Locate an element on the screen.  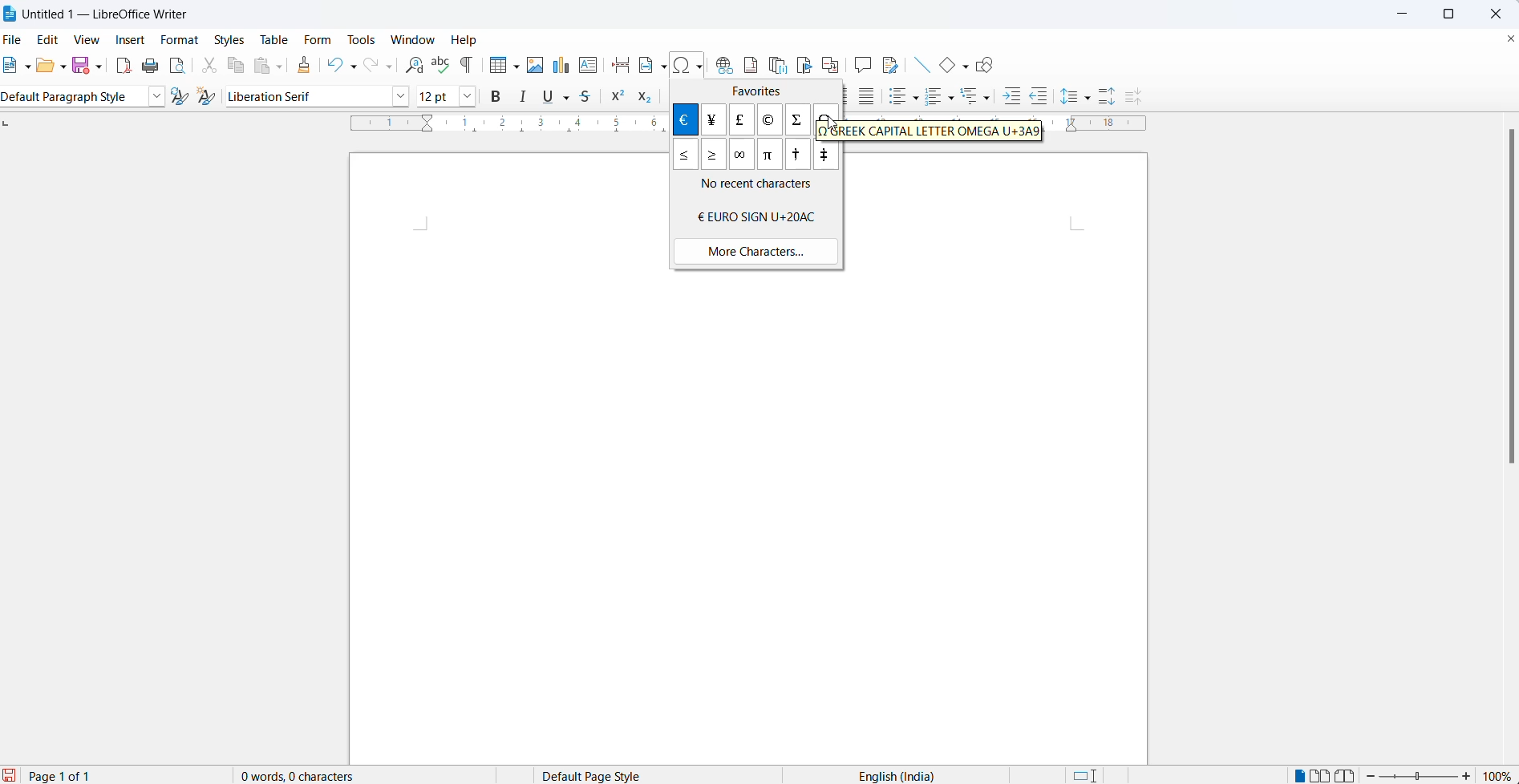
line spacing options is located at coordinates (1091, 95).